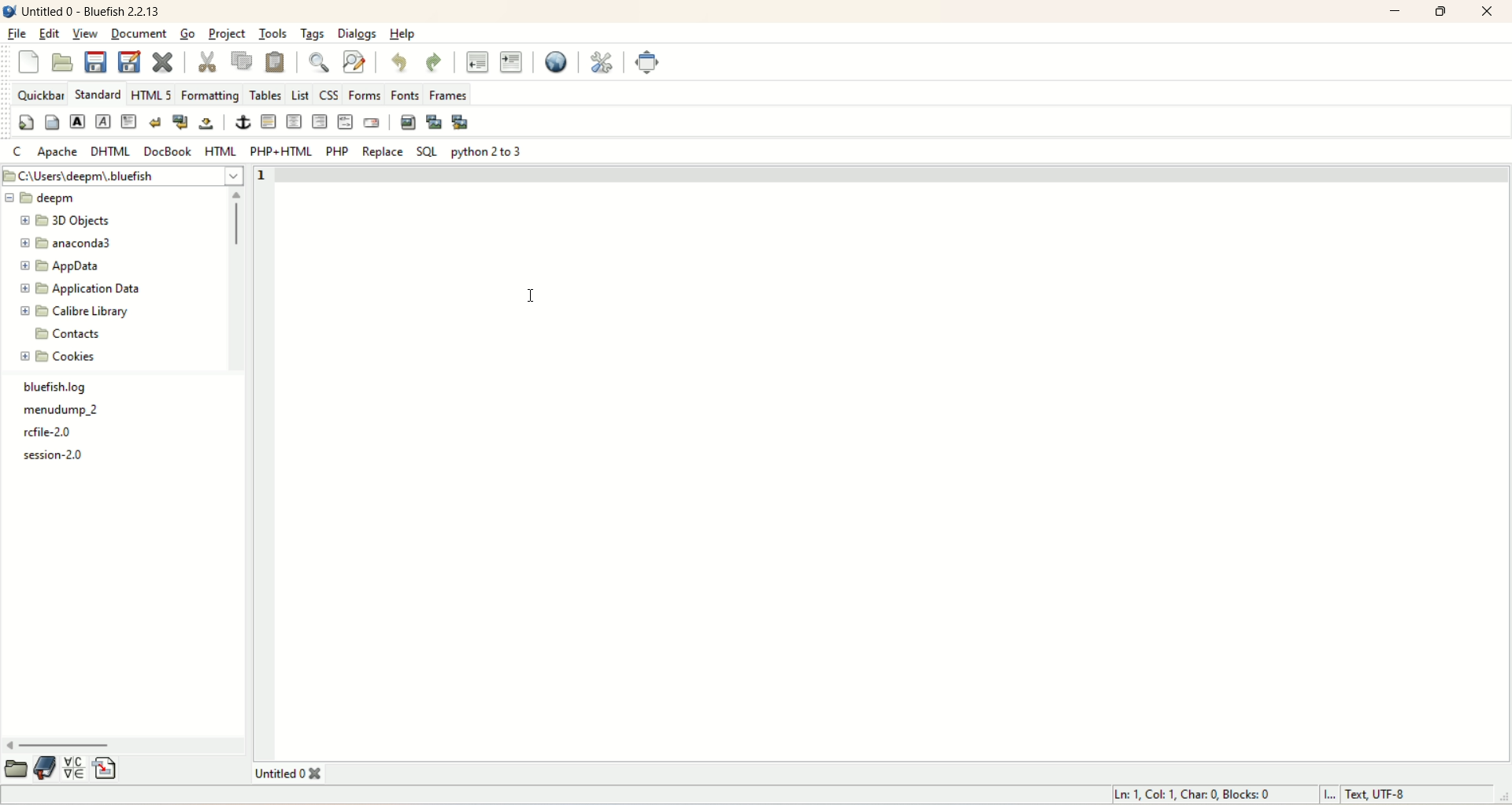  I want to click on insert file, so click(106, 767).